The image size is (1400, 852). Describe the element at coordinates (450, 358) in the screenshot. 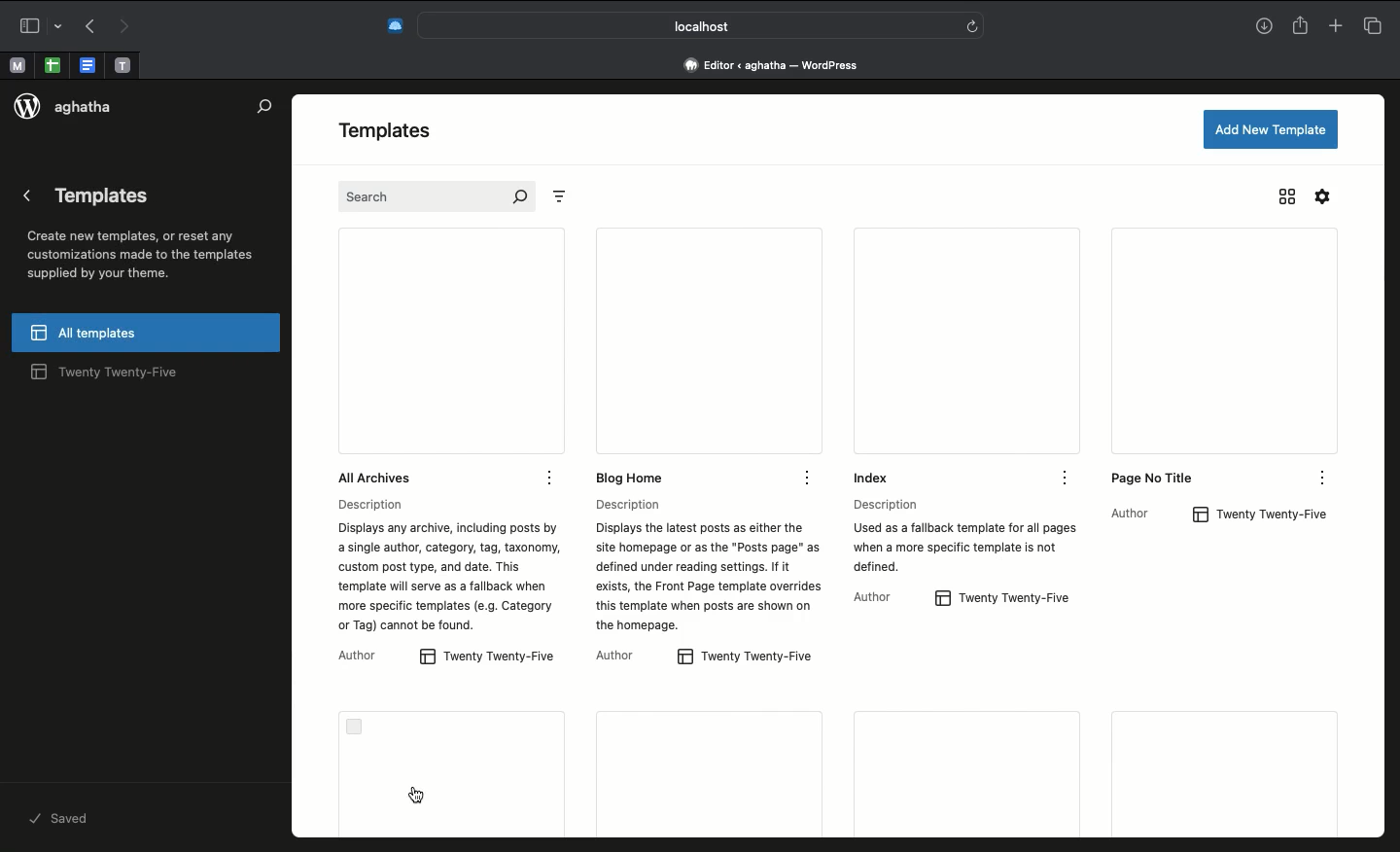

I see `All archives` at that location.